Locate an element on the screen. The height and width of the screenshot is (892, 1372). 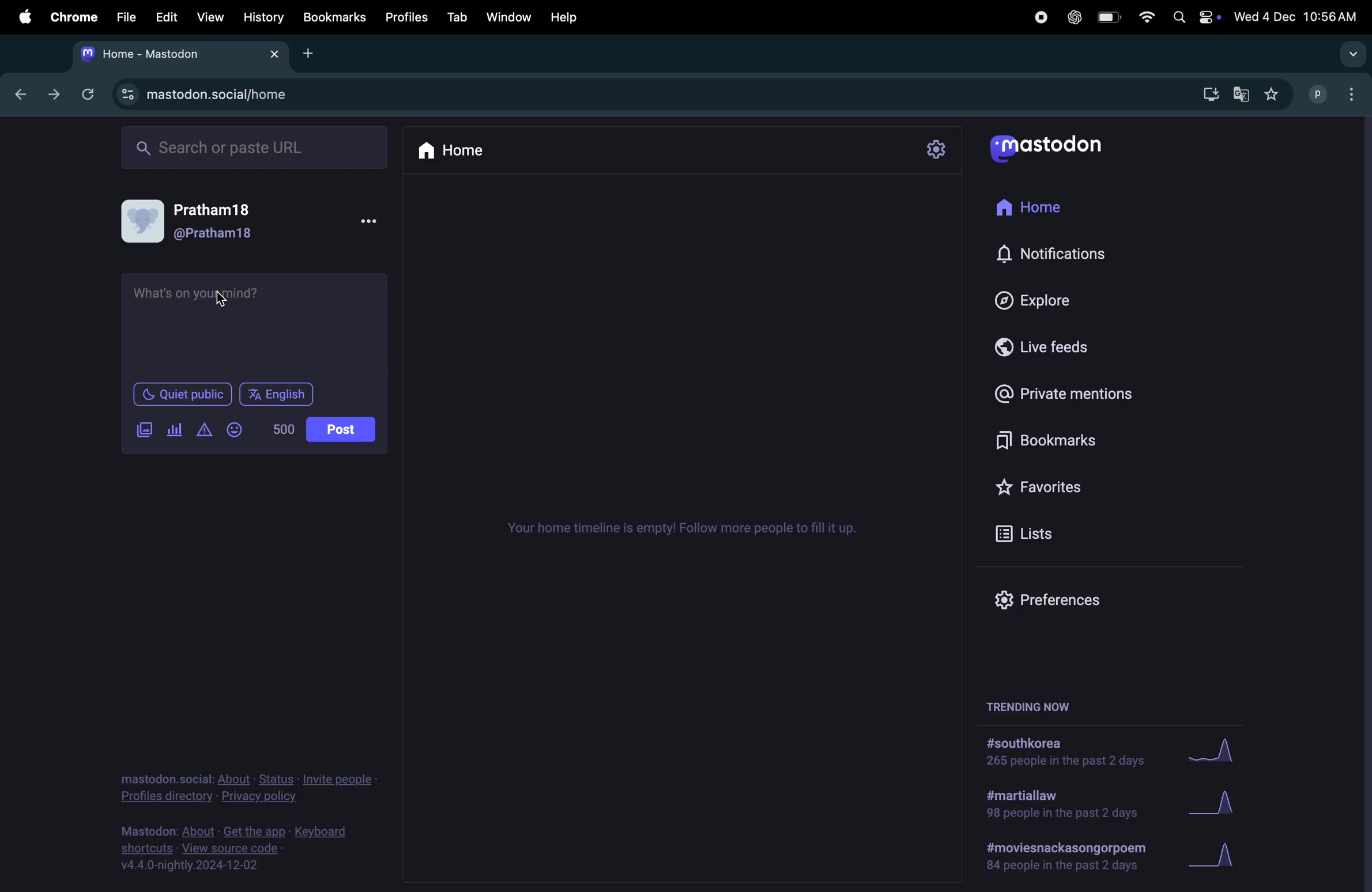
Window is located at coordinates (507, 16).